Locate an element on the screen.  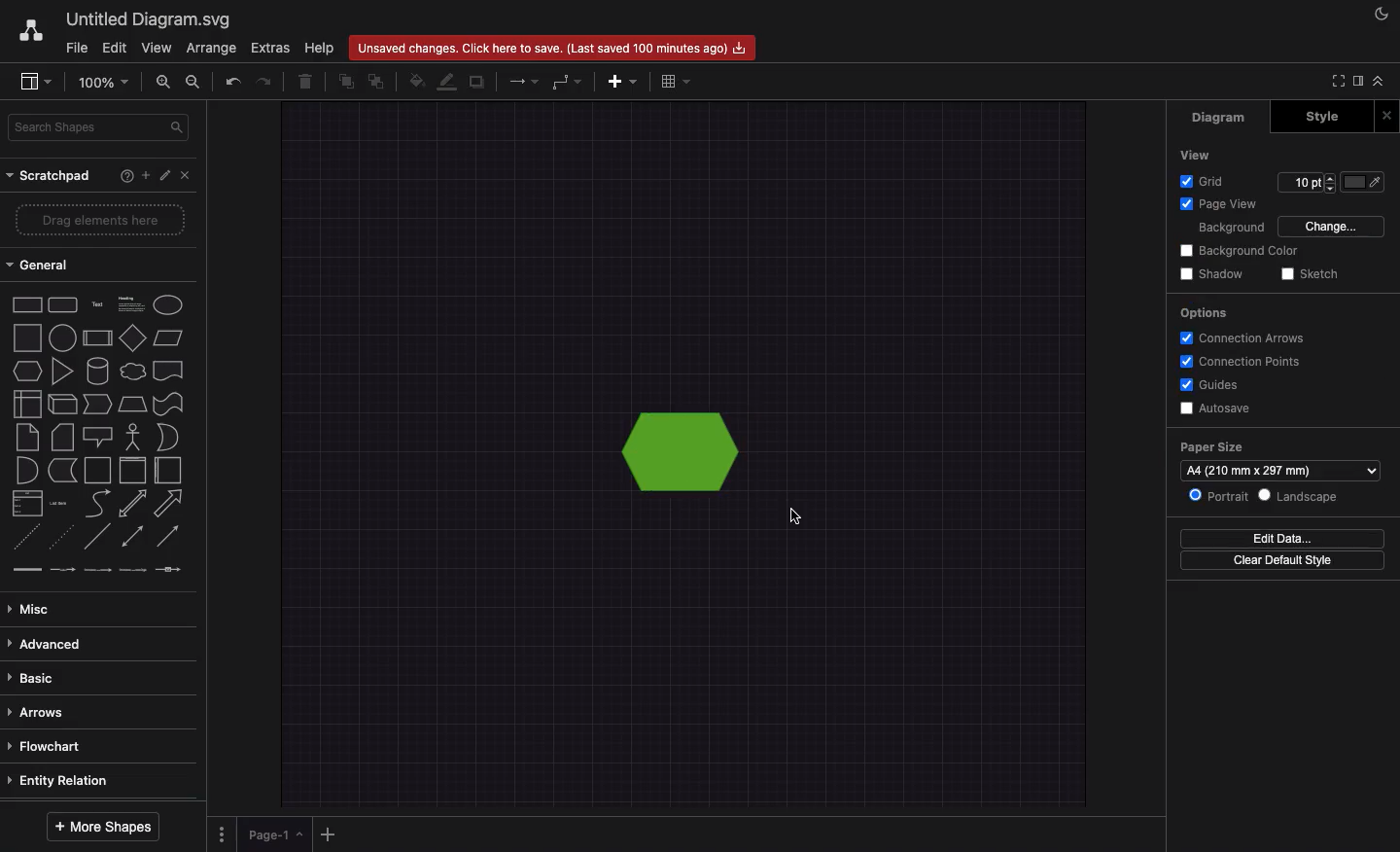
Entity relation is located at coordinates (68, 781).